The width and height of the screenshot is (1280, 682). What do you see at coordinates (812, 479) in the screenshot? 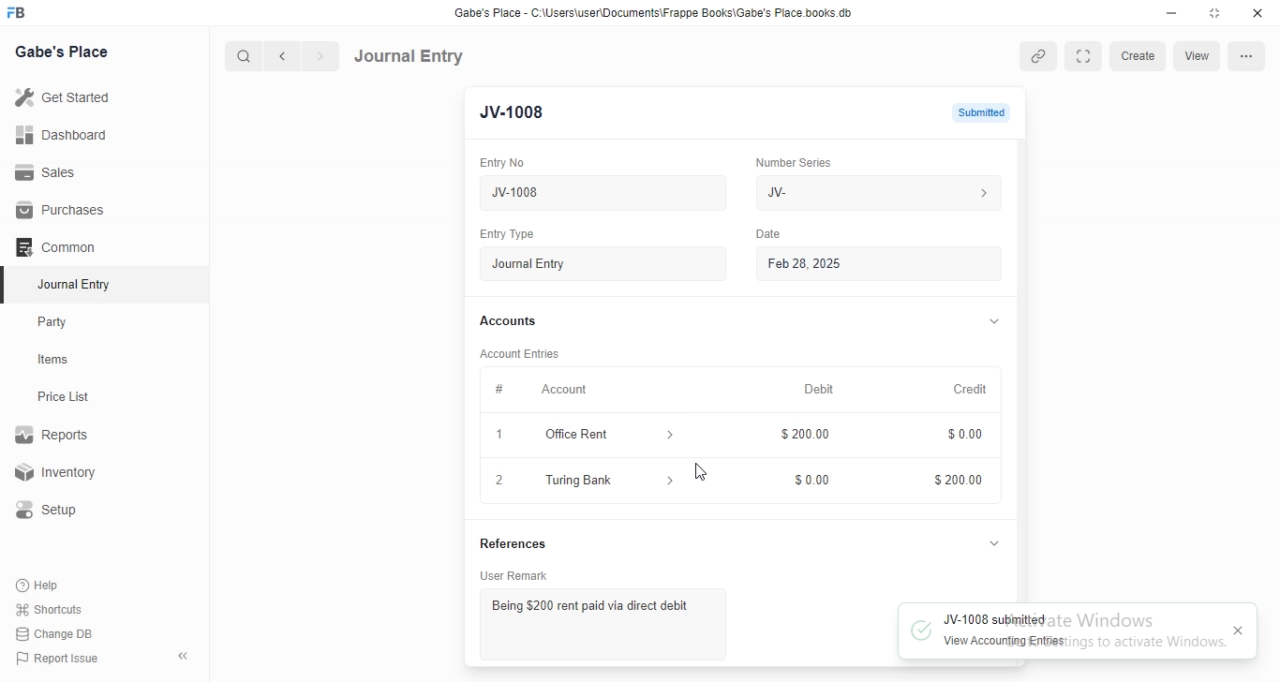
I see `$0.00` at bounding box center [812, 479].